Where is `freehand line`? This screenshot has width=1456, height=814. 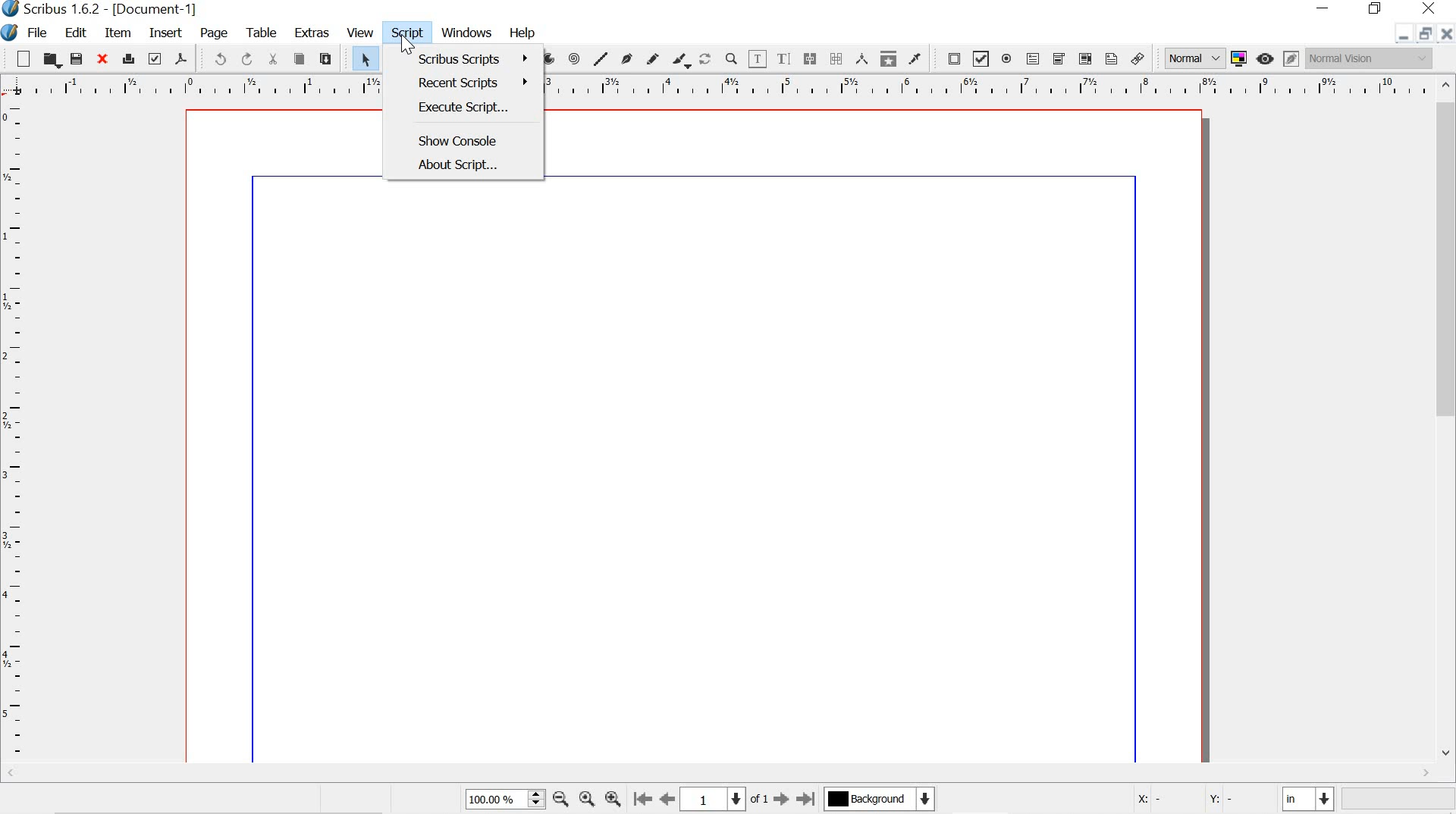
freehand line is located at coordinates (651, 58).